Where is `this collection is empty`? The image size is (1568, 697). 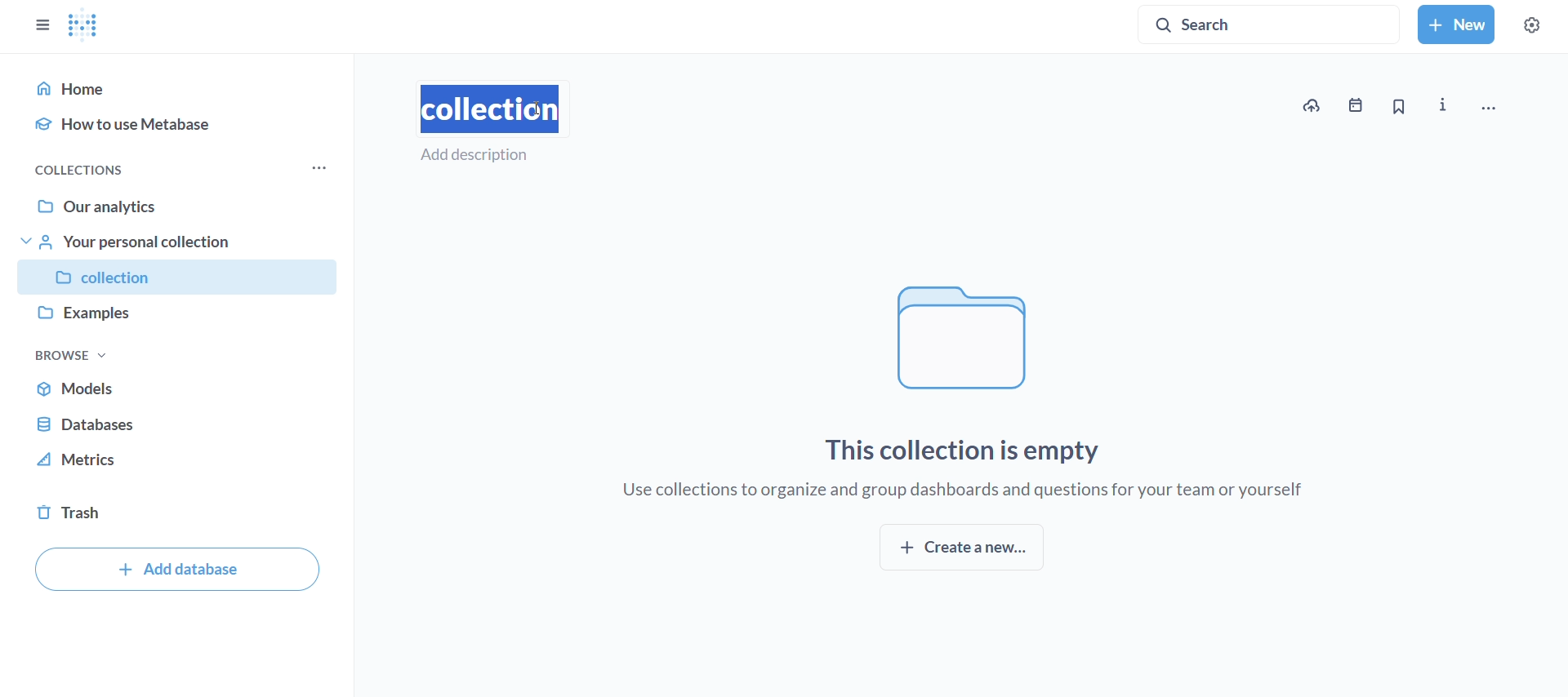 this collection is empty is located at coordinates (967, 450).